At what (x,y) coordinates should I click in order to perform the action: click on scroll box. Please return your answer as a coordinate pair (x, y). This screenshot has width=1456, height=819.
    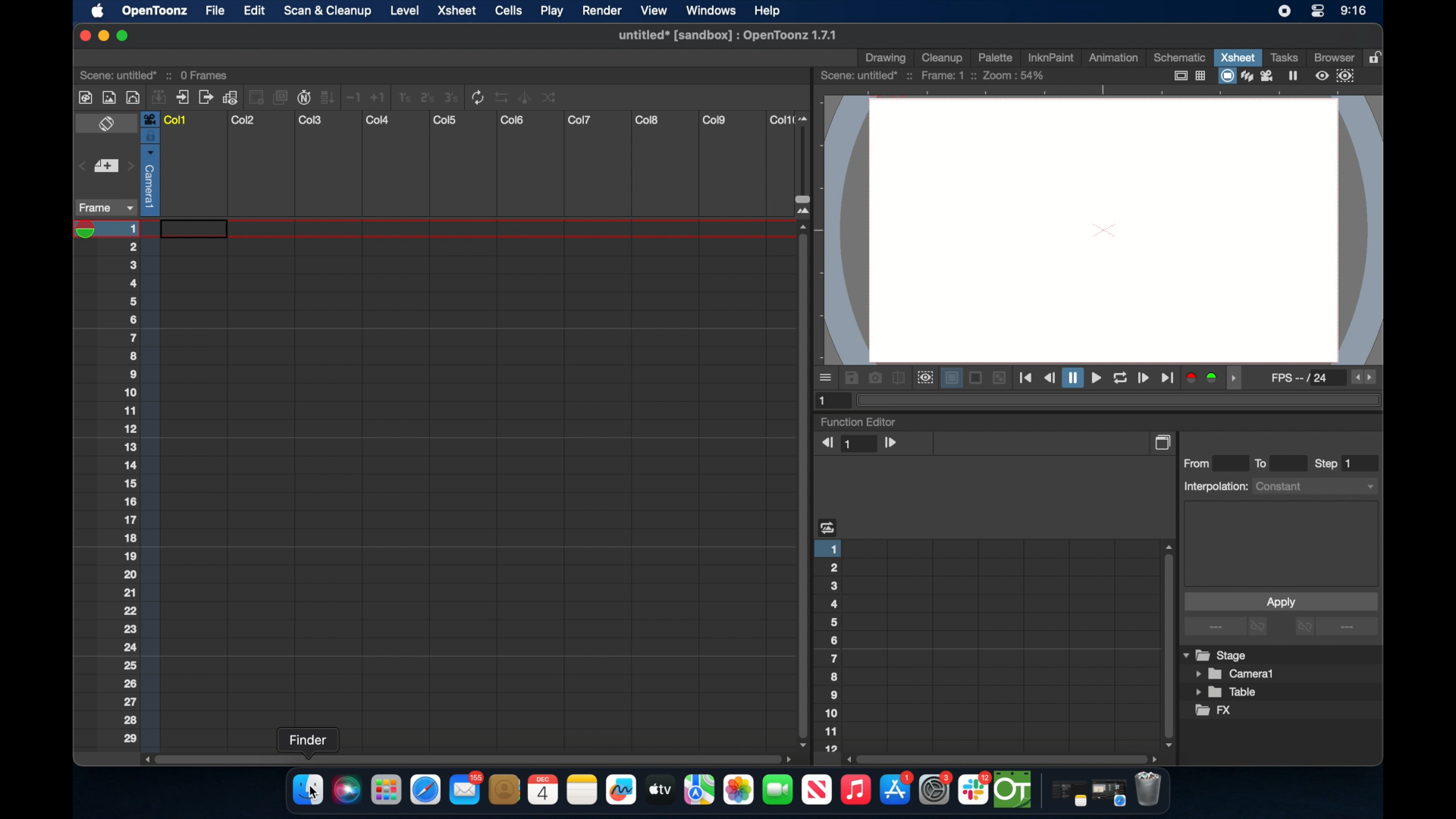
    Looking at the image, I should click on (801, 485).